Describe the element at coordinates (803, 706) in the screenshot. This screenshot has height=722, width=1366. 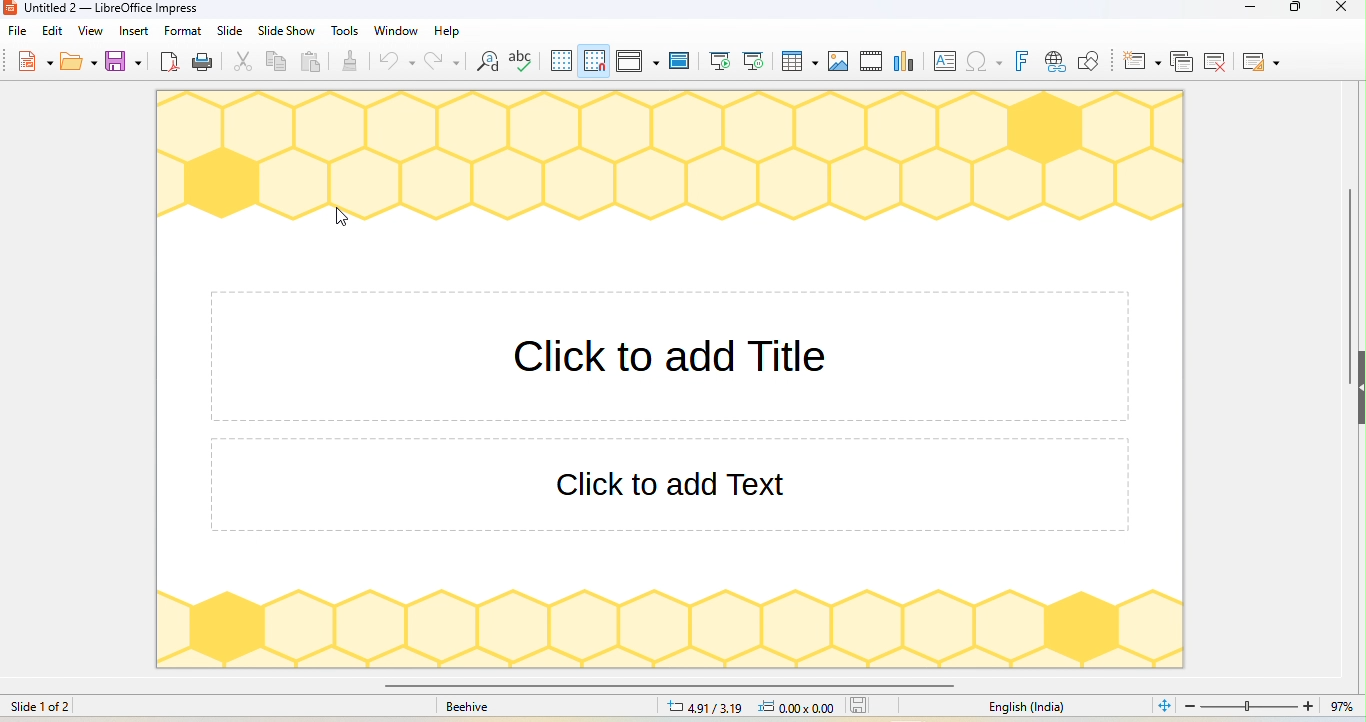
I see `0.00x0.00 (object position)` at that location.